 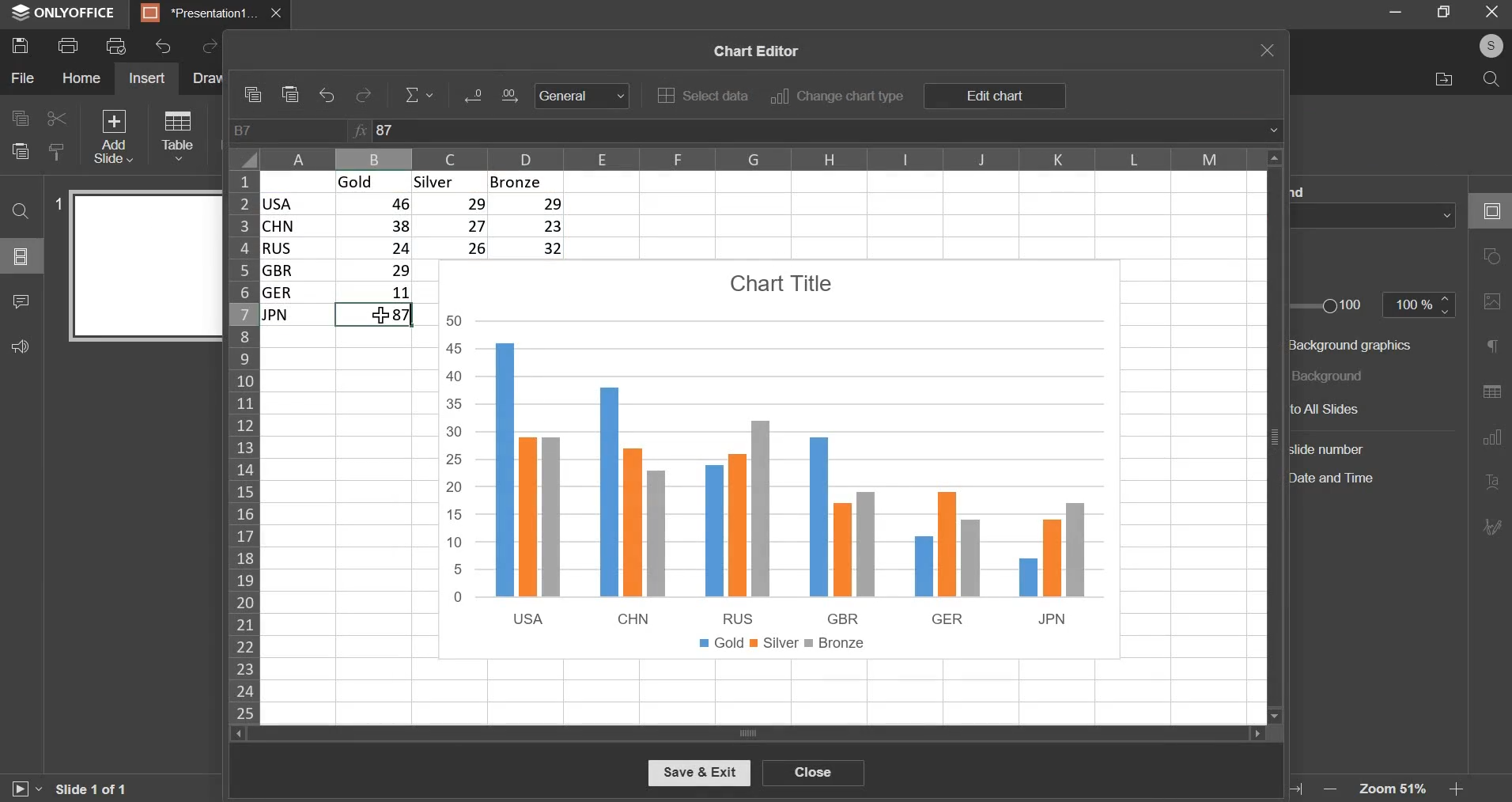 What do you see at coordinates (251, 94) in the screenshot?
I see `copy` at bounding box center [251, 94].